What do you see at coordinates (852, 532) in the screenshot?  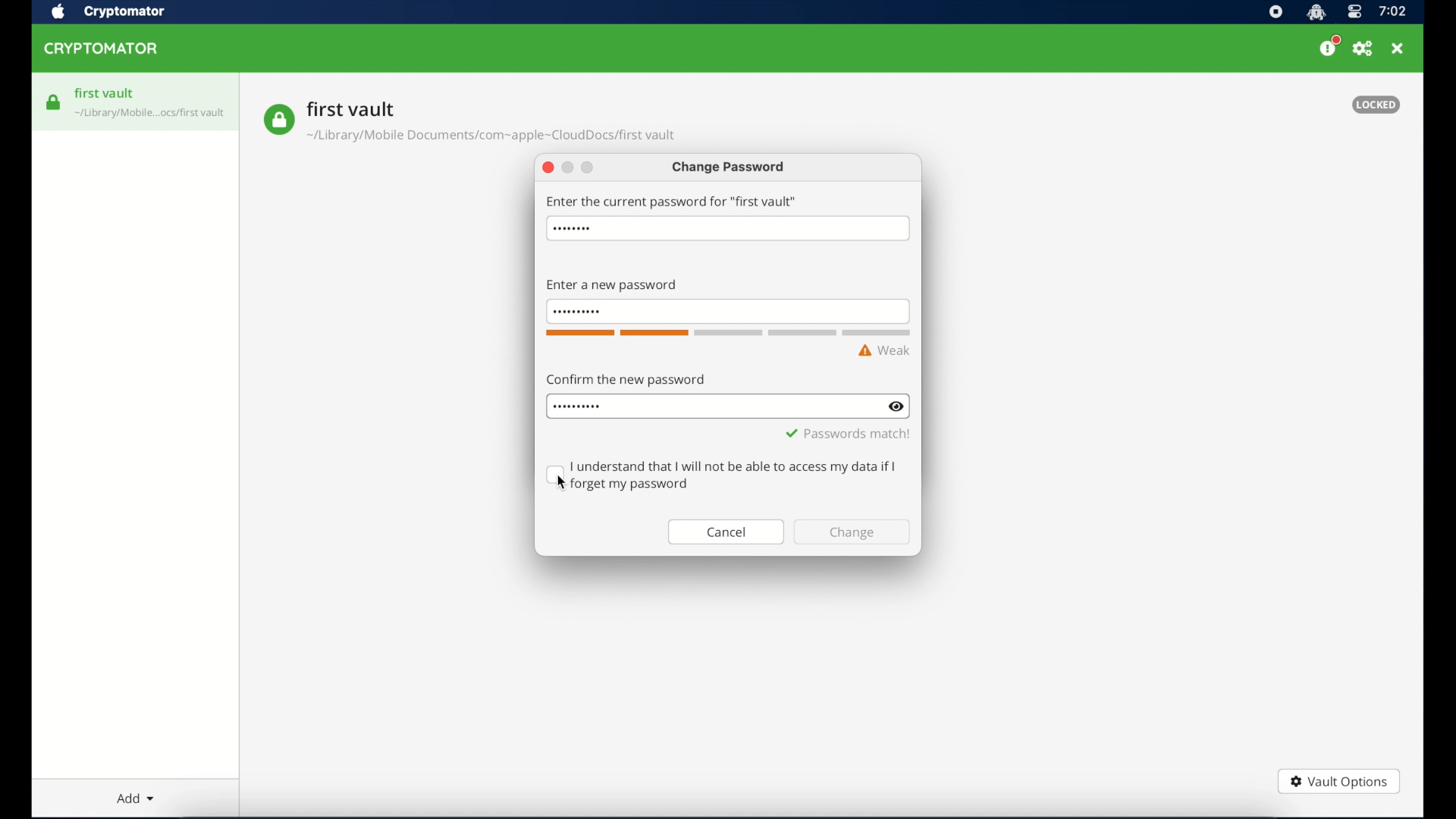 I see `change` at bounding box center [852, 532].